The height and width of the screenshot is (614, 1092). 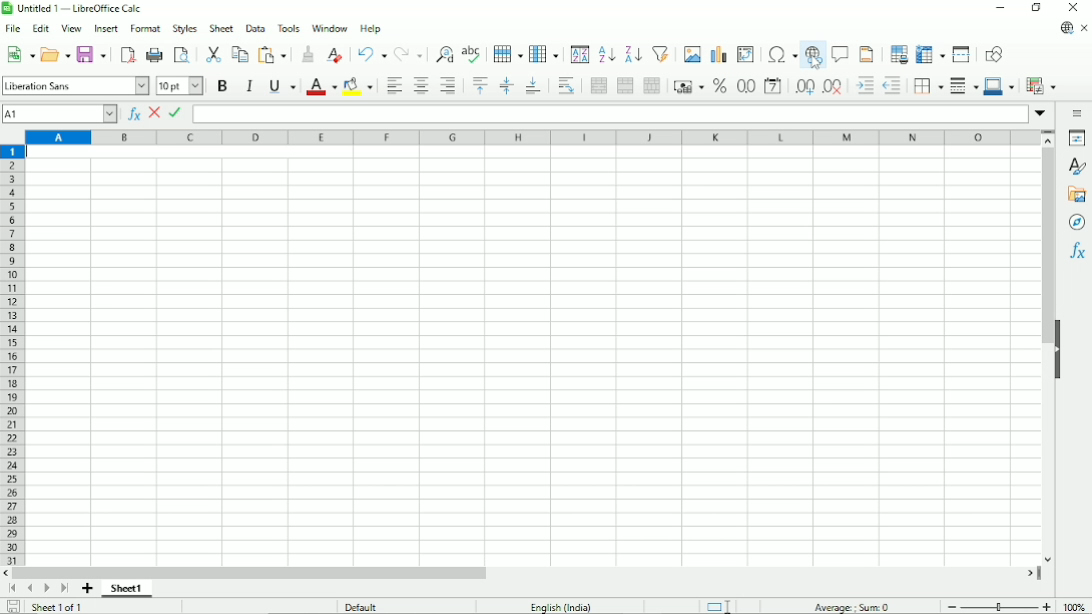 I want to click on Text color, so click(x=322, y=86).